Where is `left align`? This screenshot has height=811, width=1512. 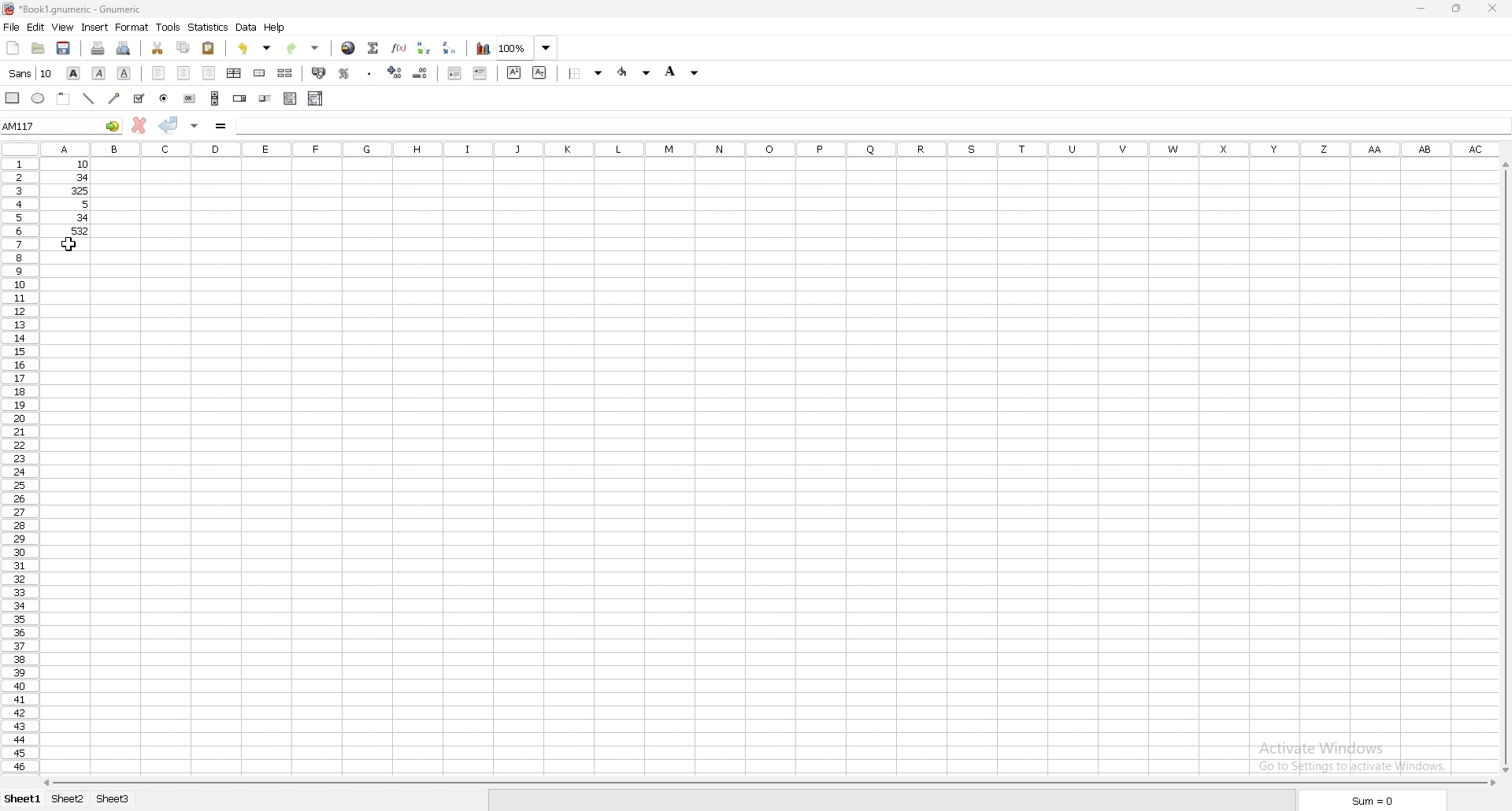
left align is located at coordinates (159, 71).